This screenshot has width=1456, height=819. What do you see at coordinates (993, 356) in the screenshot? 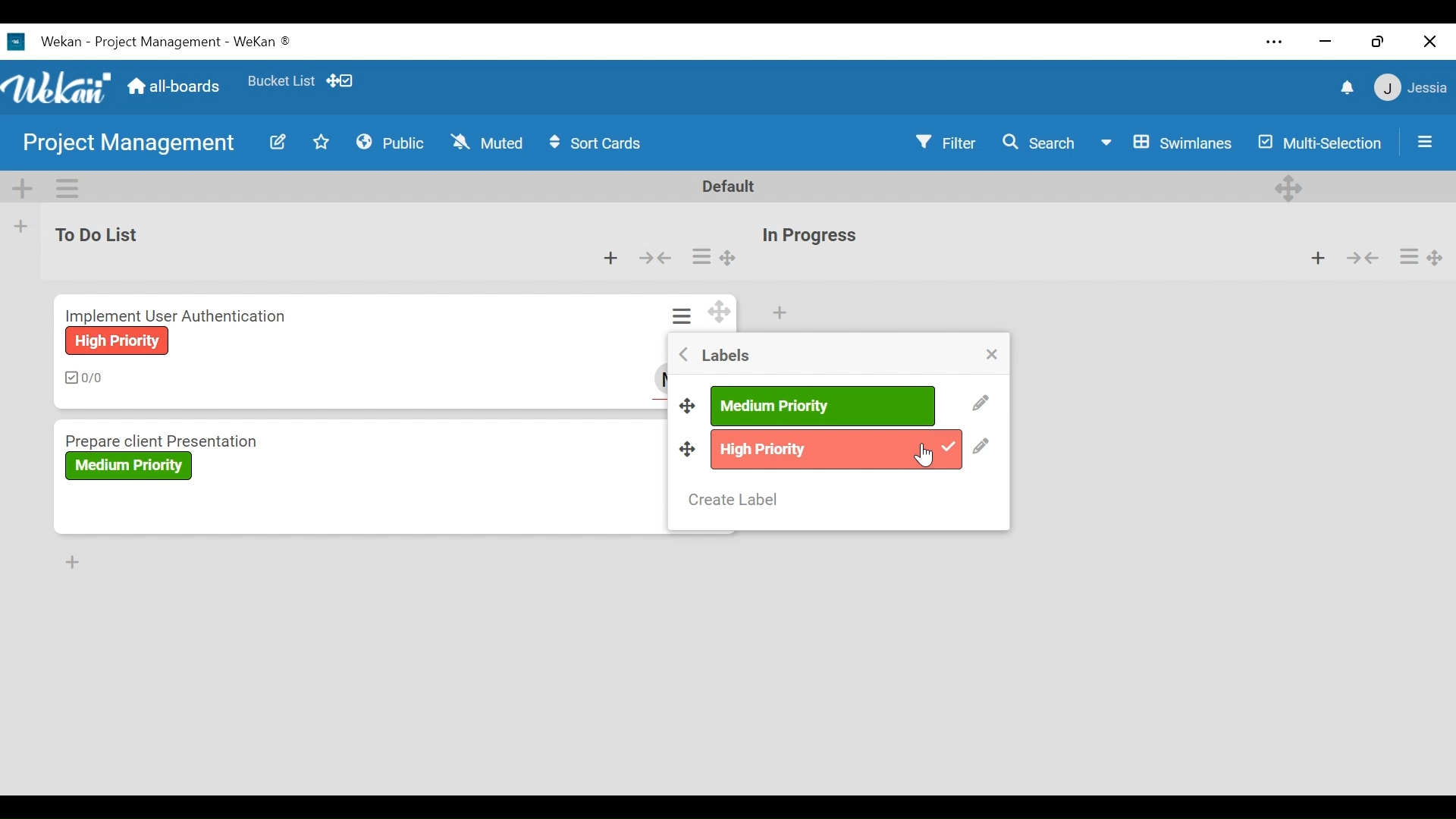
I see `close` at bounding box center [993, 356].